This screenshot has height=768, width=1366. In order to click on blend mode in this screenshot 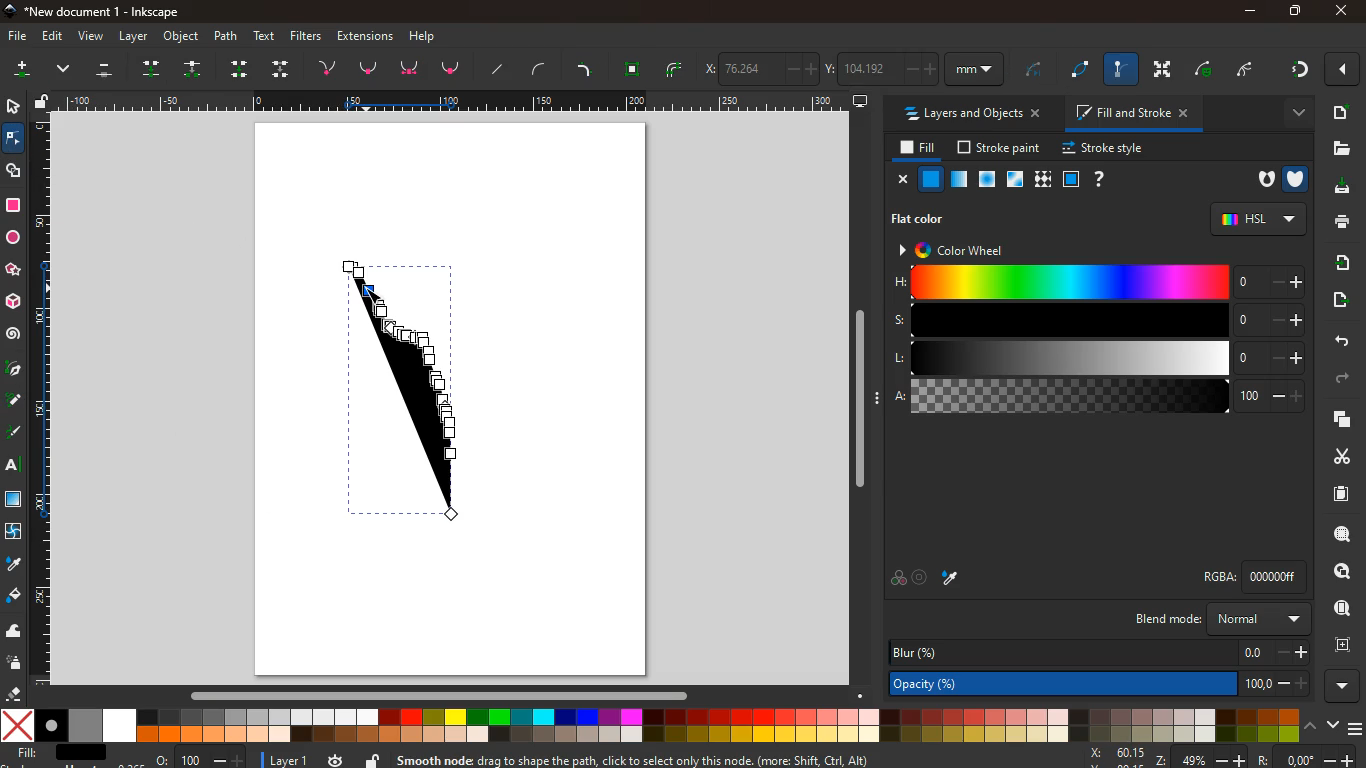, I will do `click(1225, 619)`.